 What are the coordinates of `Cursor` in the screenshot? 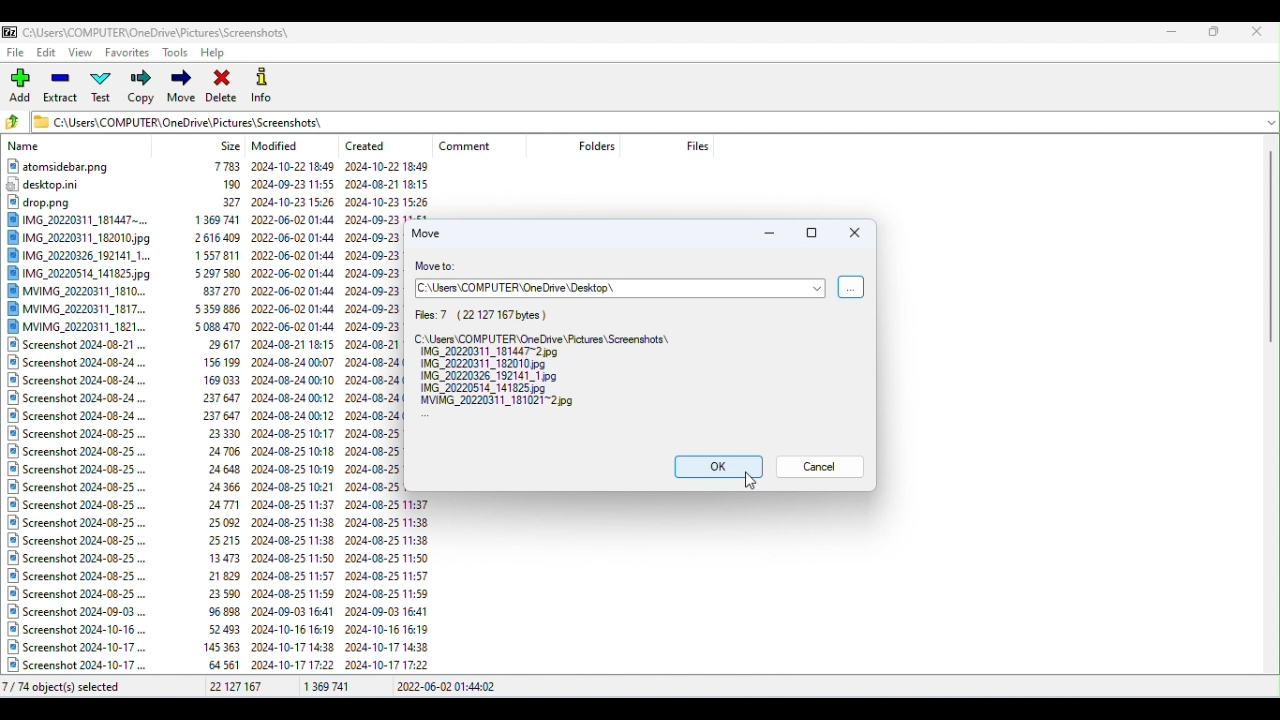 It's located at (748, 482).